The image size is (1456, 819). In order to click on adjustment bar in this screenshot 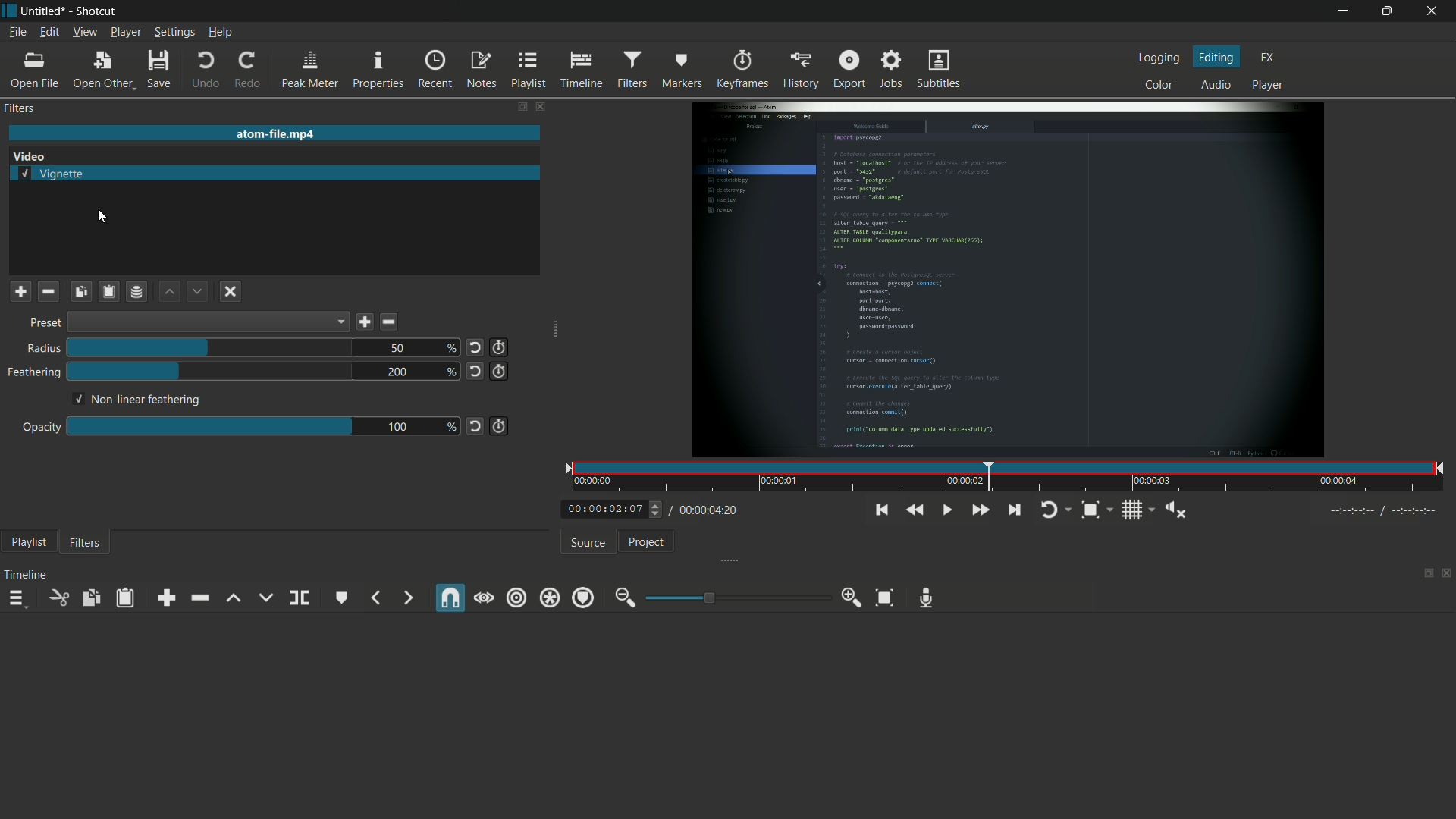, I will do `click(208, 425)`.